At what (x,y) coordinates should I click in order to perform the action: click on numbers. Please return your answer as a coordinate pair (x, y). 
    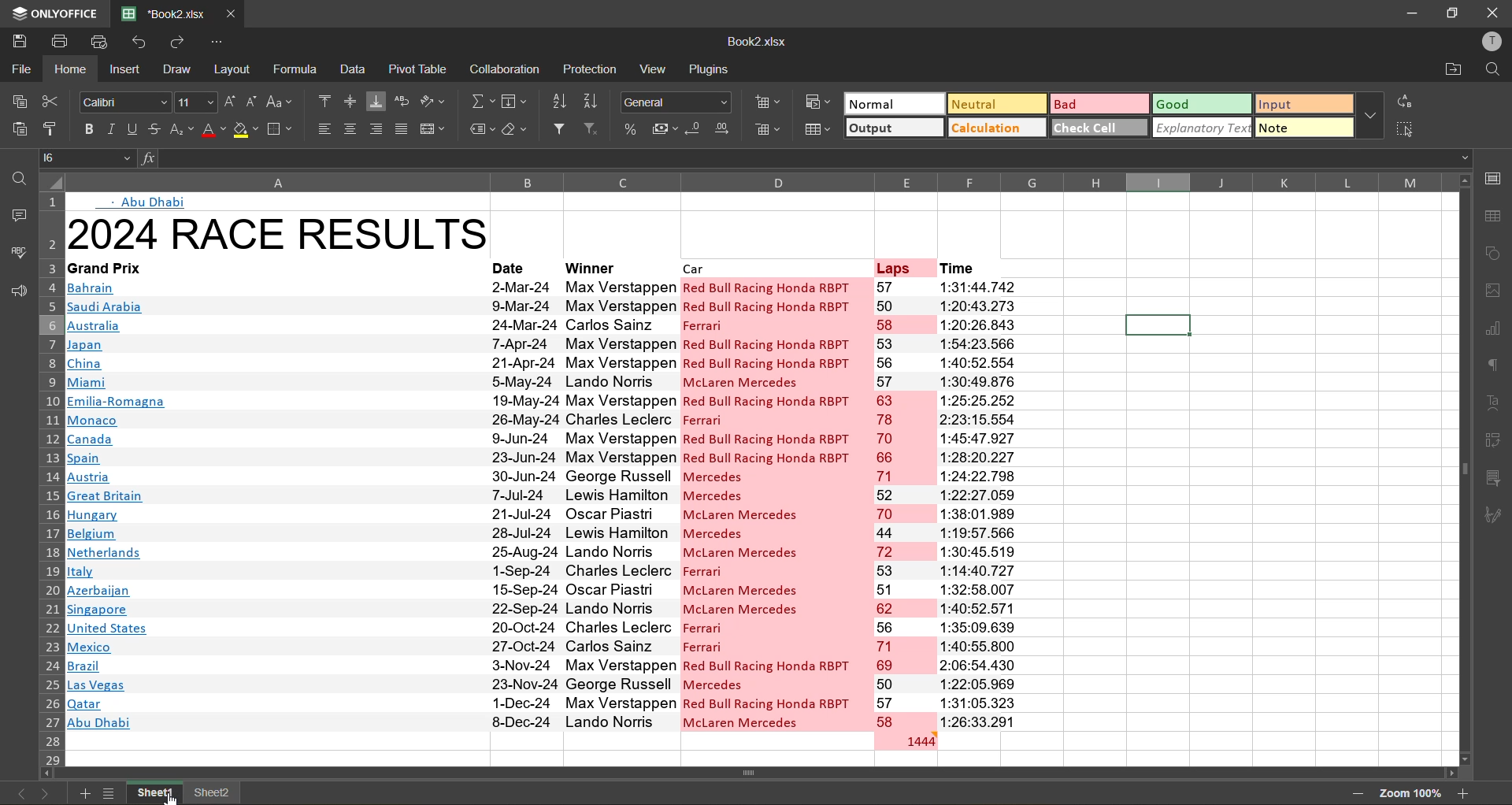
    Looking at the image, I should click on (903, 503).